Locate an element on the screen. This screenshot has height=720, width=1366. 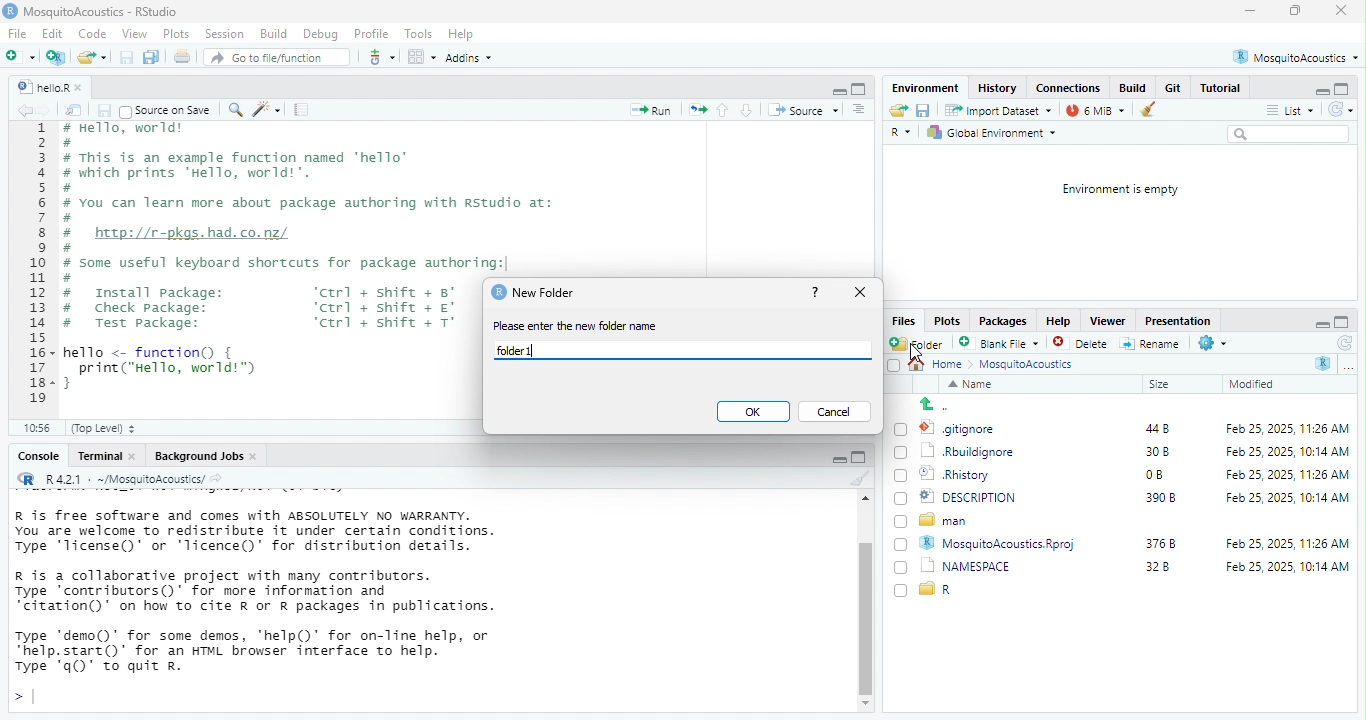
checkbox is located at coordinates (902, 428).